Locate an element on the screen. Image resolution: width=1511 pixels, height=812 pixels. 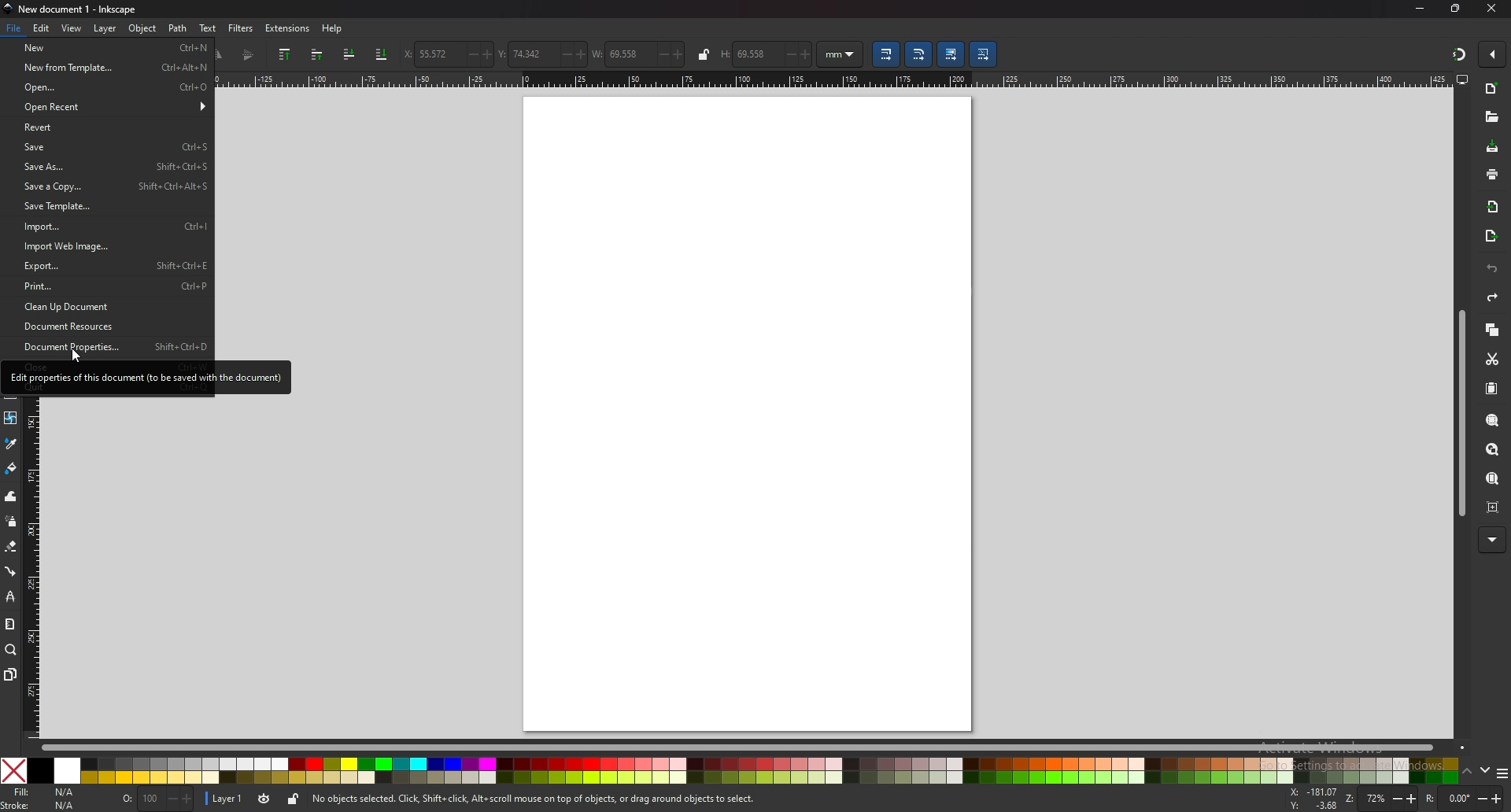
No objects selected. Click, Shift+ click, Alt scroll mouse on top of objects, or drag around objects to select, is located at coordinates (549, 799).